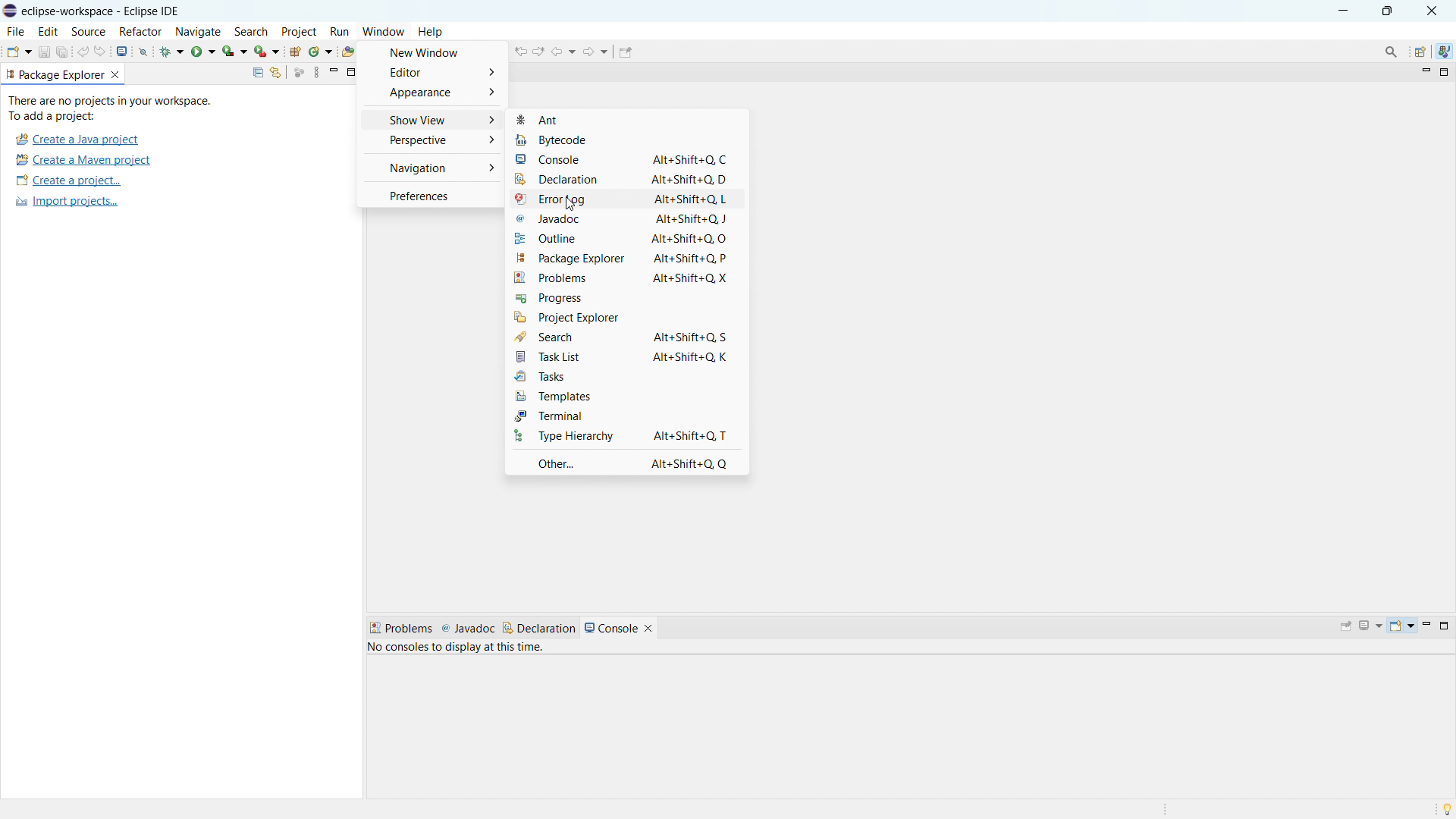 This screenshot has height=819, width=1456. What do you see at coordinates (251, 31) in the screenshot?
I see `search` at bounding box center [251, 31].